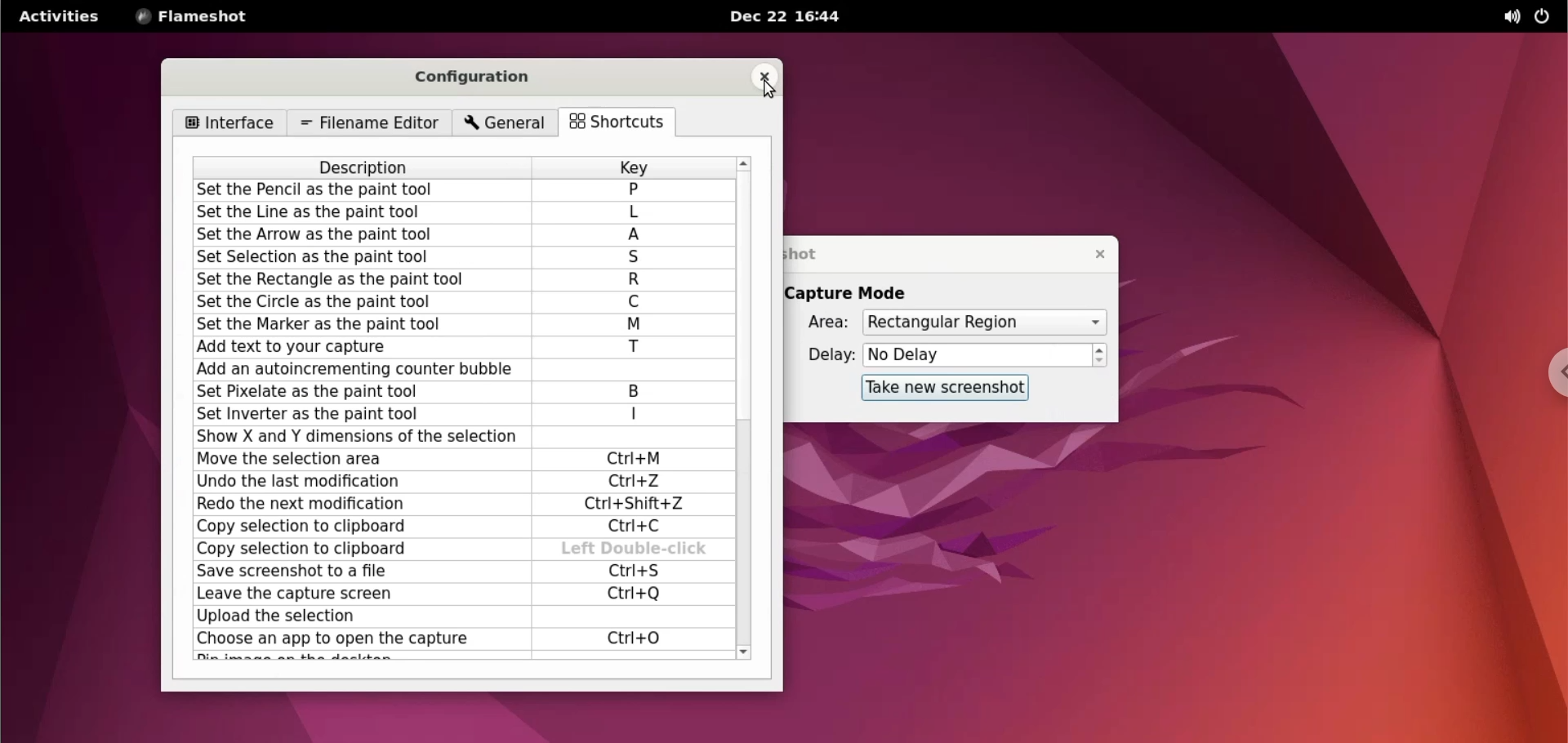 The width and height of the screenshot is (1568, 743). I want to click on cursor, so click(646, 213).